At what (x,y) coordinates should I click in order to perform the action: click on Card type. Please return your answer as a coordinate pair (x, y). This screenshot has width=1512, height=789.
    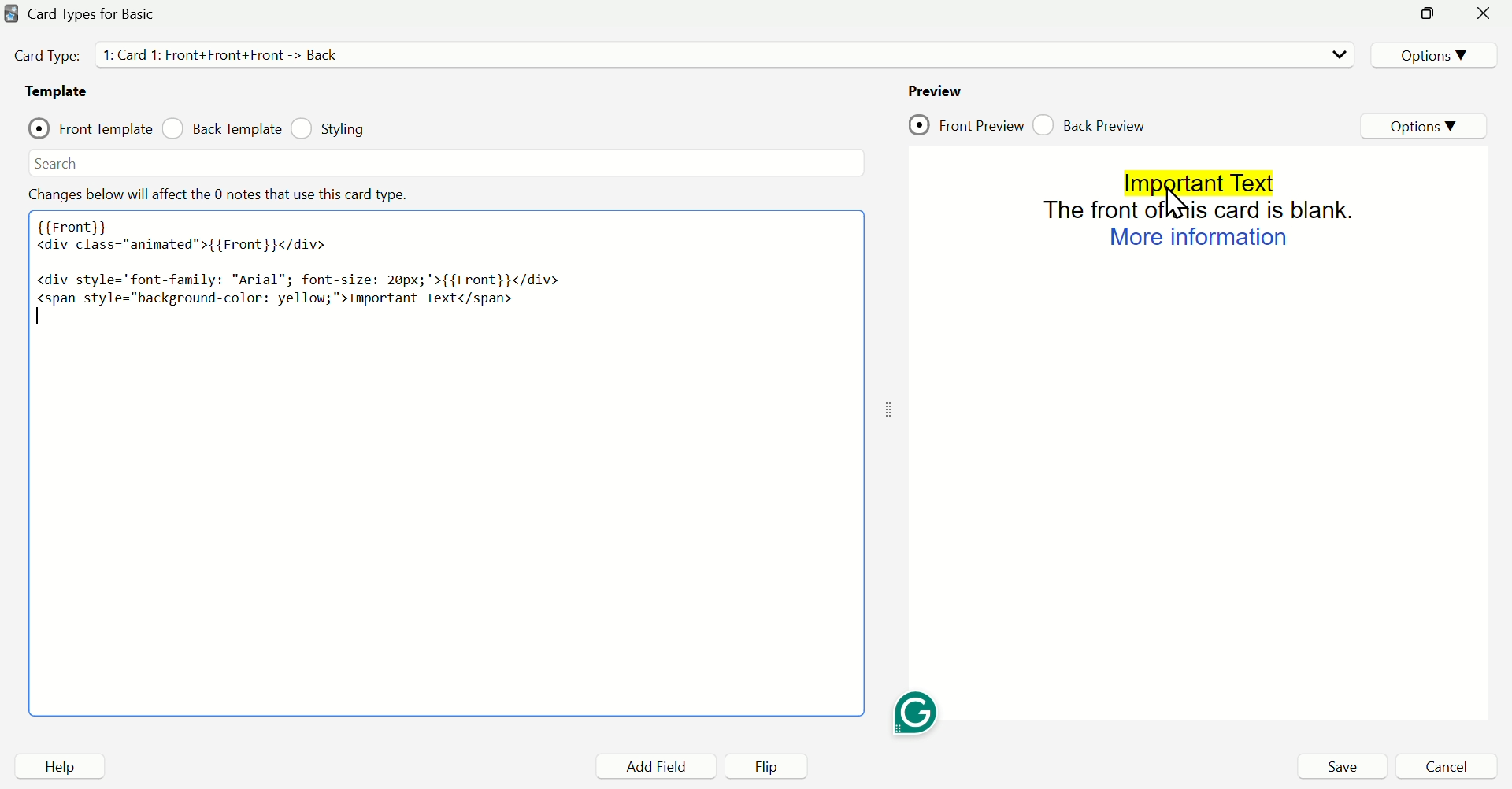
    Looking at the image, I should click on (722, 54).